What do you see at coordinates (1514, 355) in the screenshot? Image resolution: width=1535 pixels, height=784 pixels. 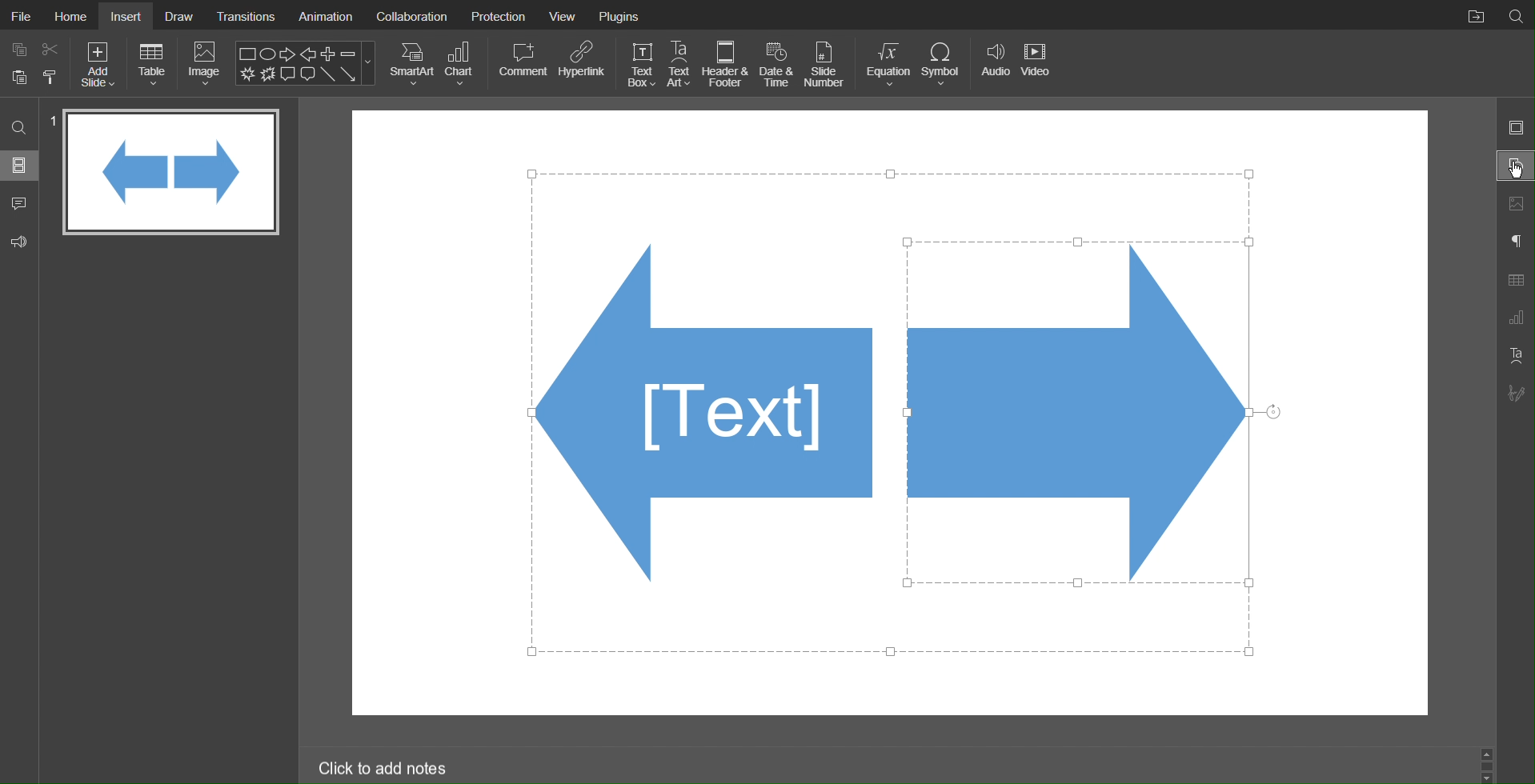 I see `Text Art` at bounding box center [1514, 355].